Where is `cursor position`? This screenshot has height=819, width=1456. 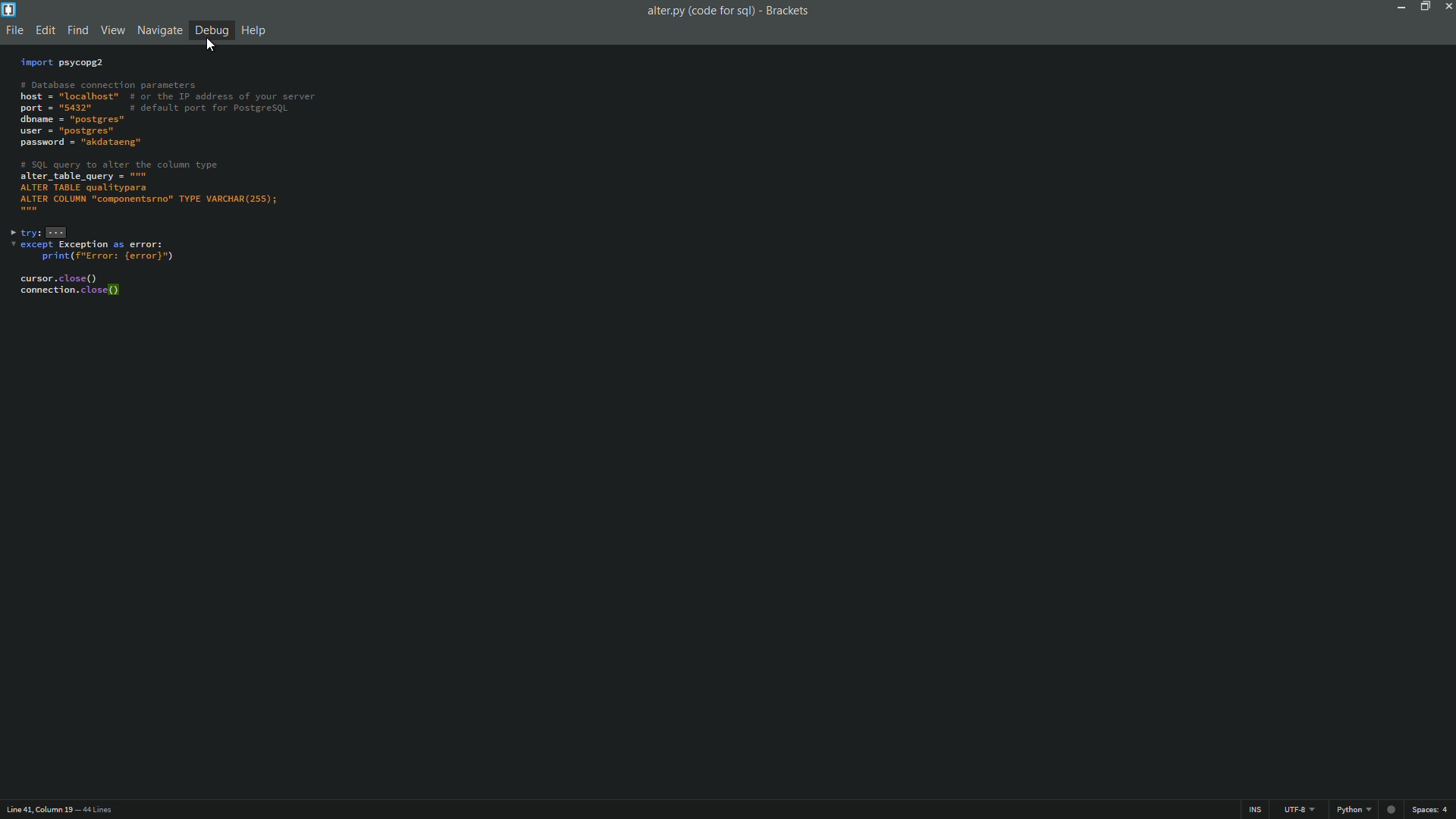 cursor position is located at coordinates (36, 810).